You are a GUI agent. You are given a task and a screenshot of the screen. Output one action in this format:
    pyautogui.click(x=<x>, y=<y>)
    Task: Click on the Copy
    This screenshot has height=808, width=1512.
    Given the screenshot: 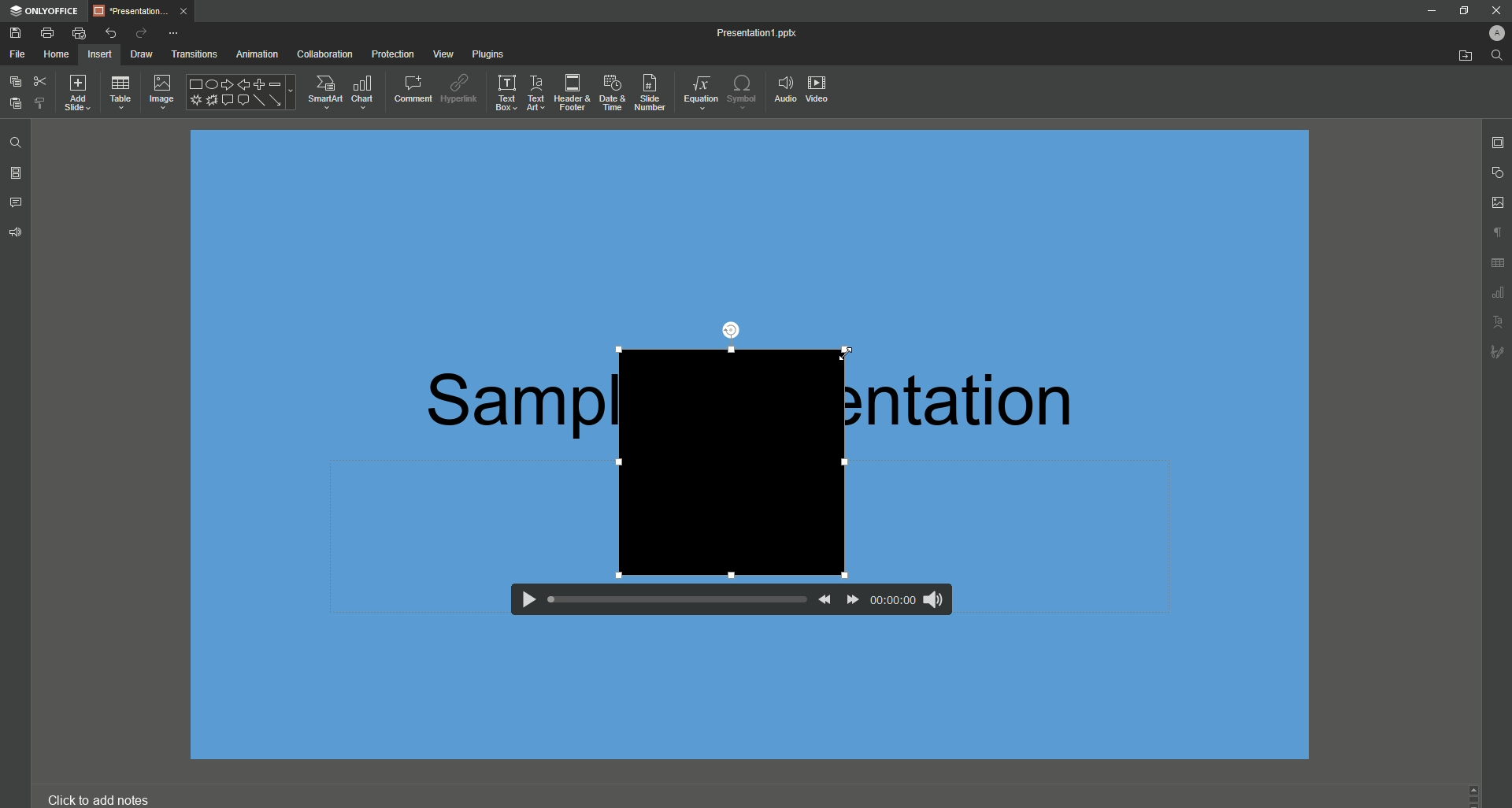 What is the action you would take?
    pyautogui.click(x=14, y=81)
    